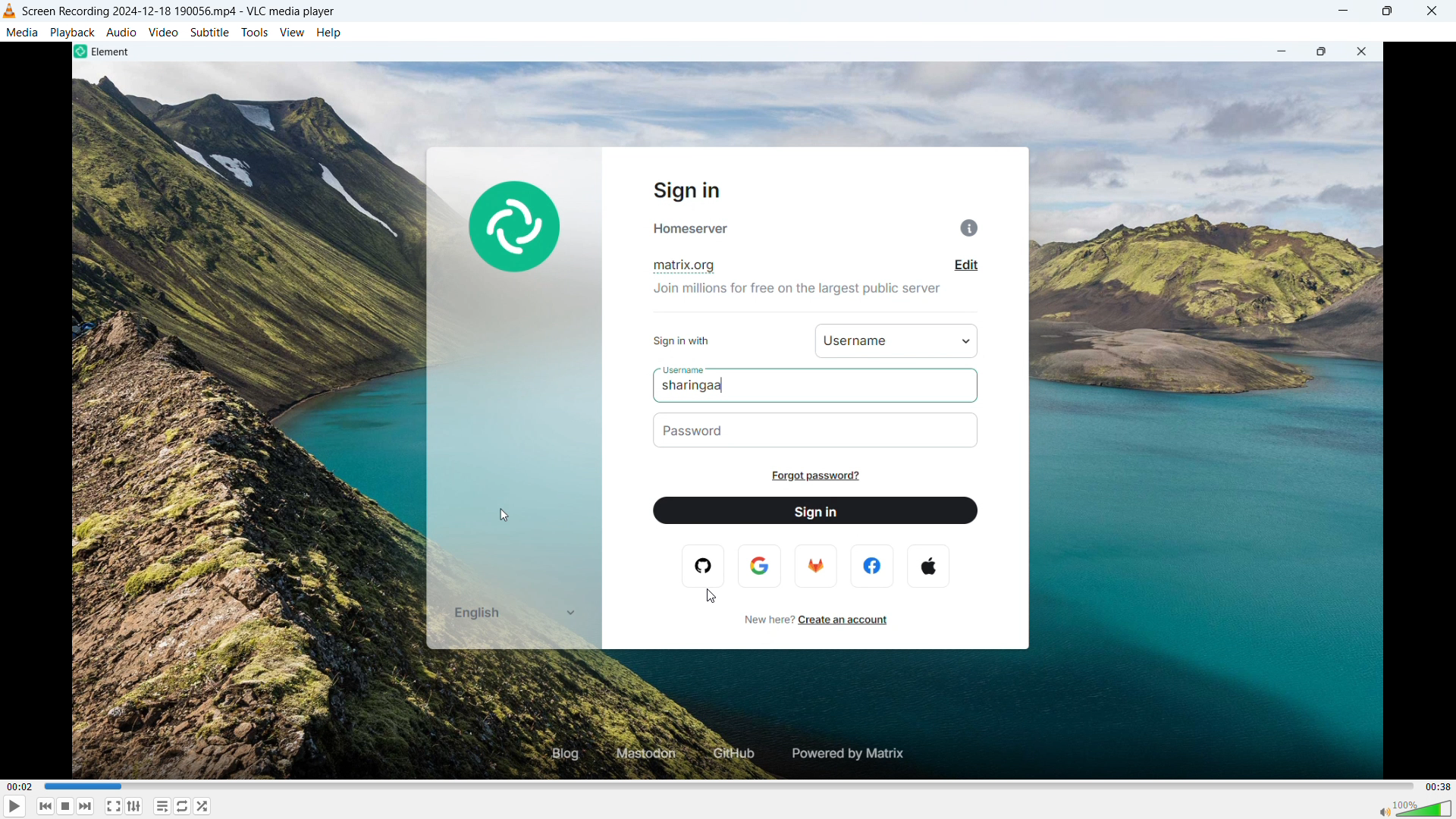  I want to click on time bar, so click(730, 786).